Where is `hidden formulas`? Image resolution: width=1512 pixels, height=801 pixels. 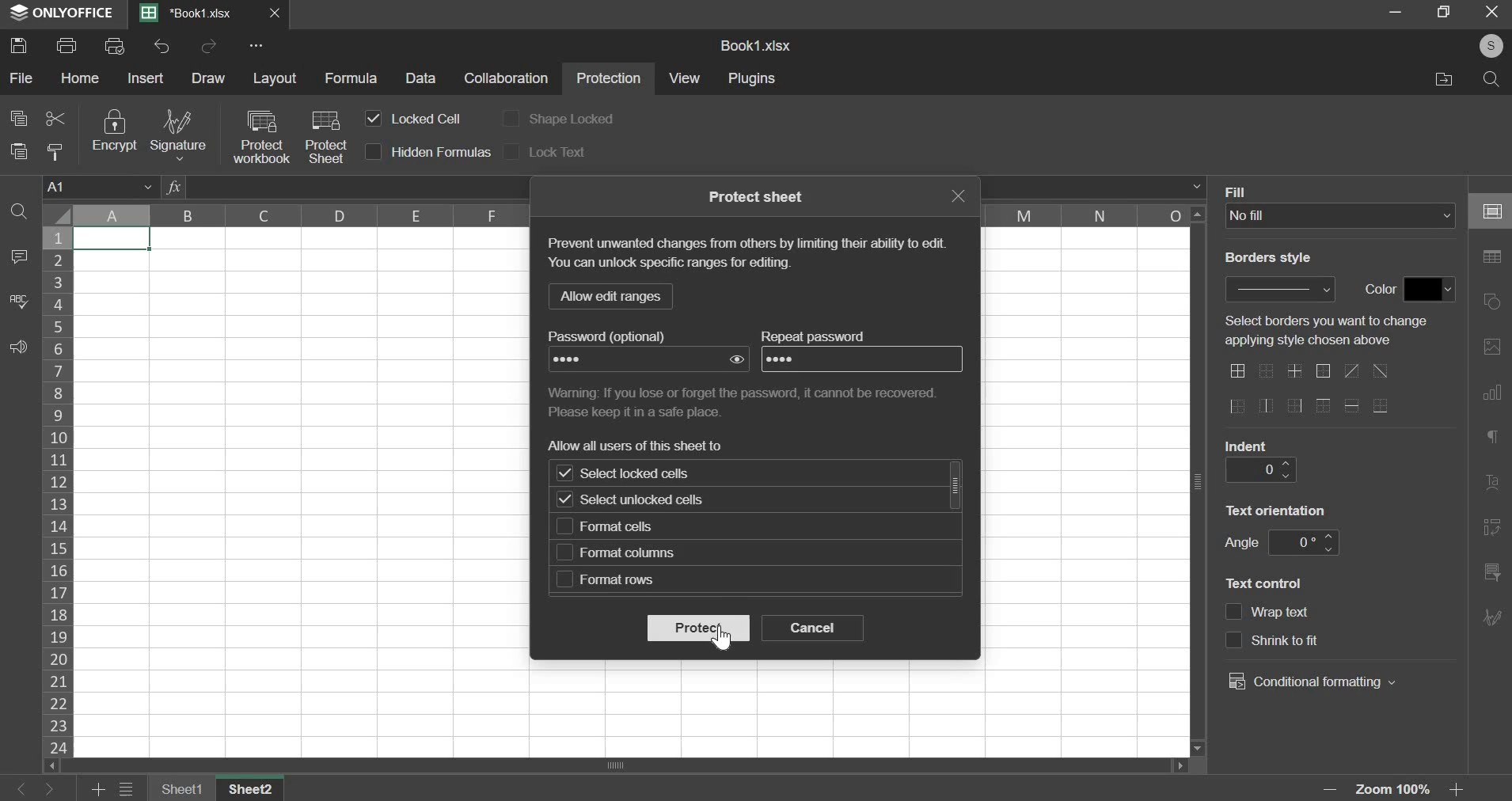 hidden formulas is located at coordinates (442, 152).